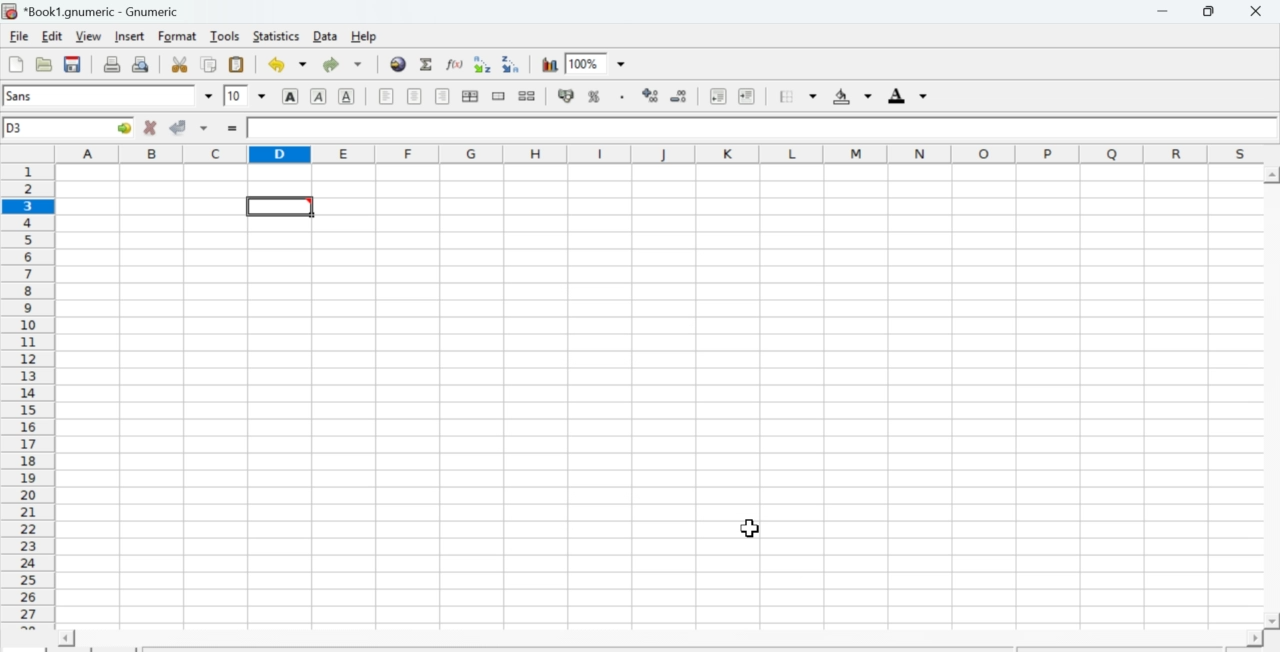  Describe the element at coordinates (1272, 622) in the screenshot. I see `scroll down` at that location.